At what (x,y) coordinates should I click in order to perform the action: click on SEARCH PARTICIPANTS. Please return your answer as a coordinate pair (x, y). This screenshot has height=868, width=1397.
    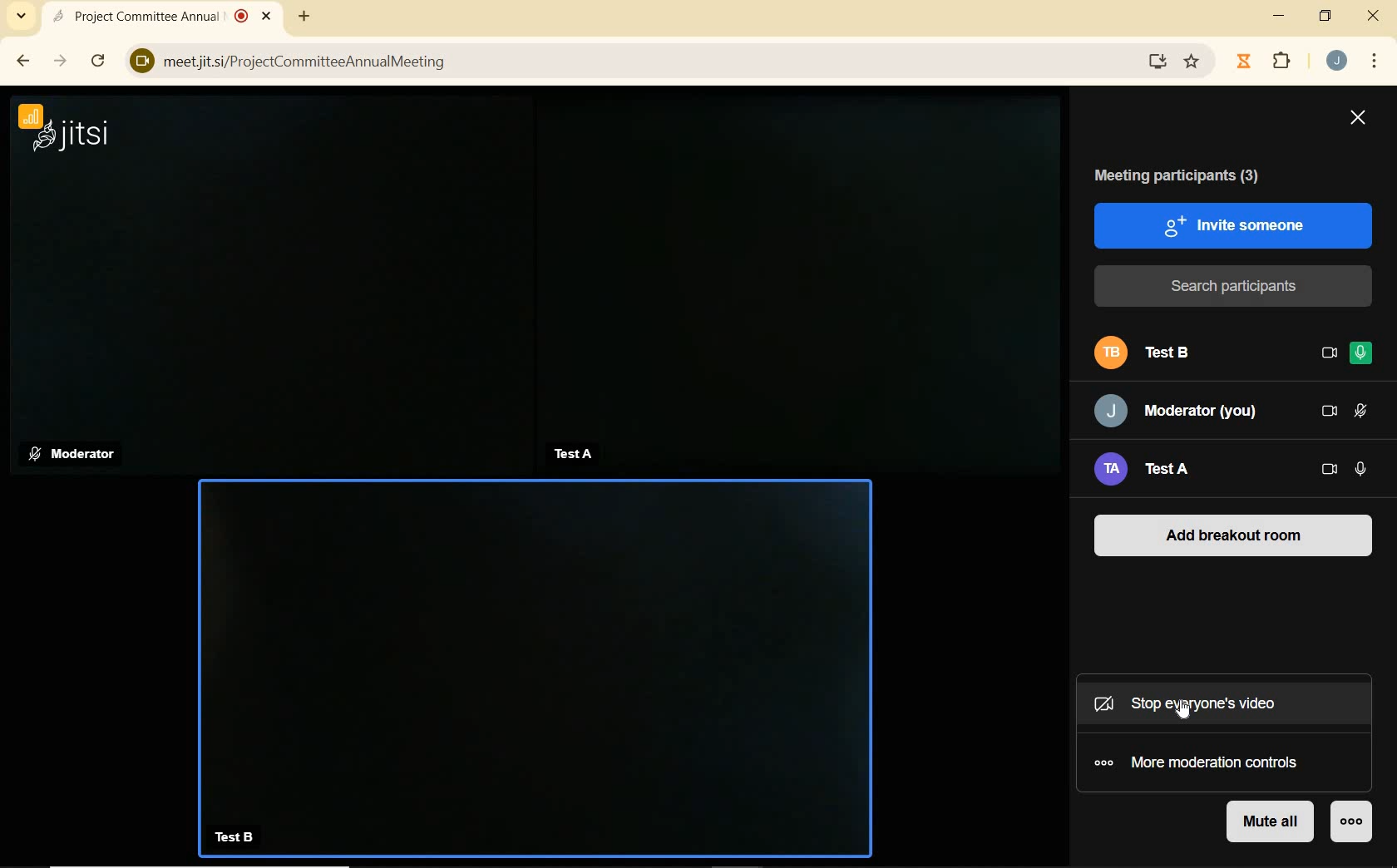
    Looking at the image, I should click on (1235, 286).